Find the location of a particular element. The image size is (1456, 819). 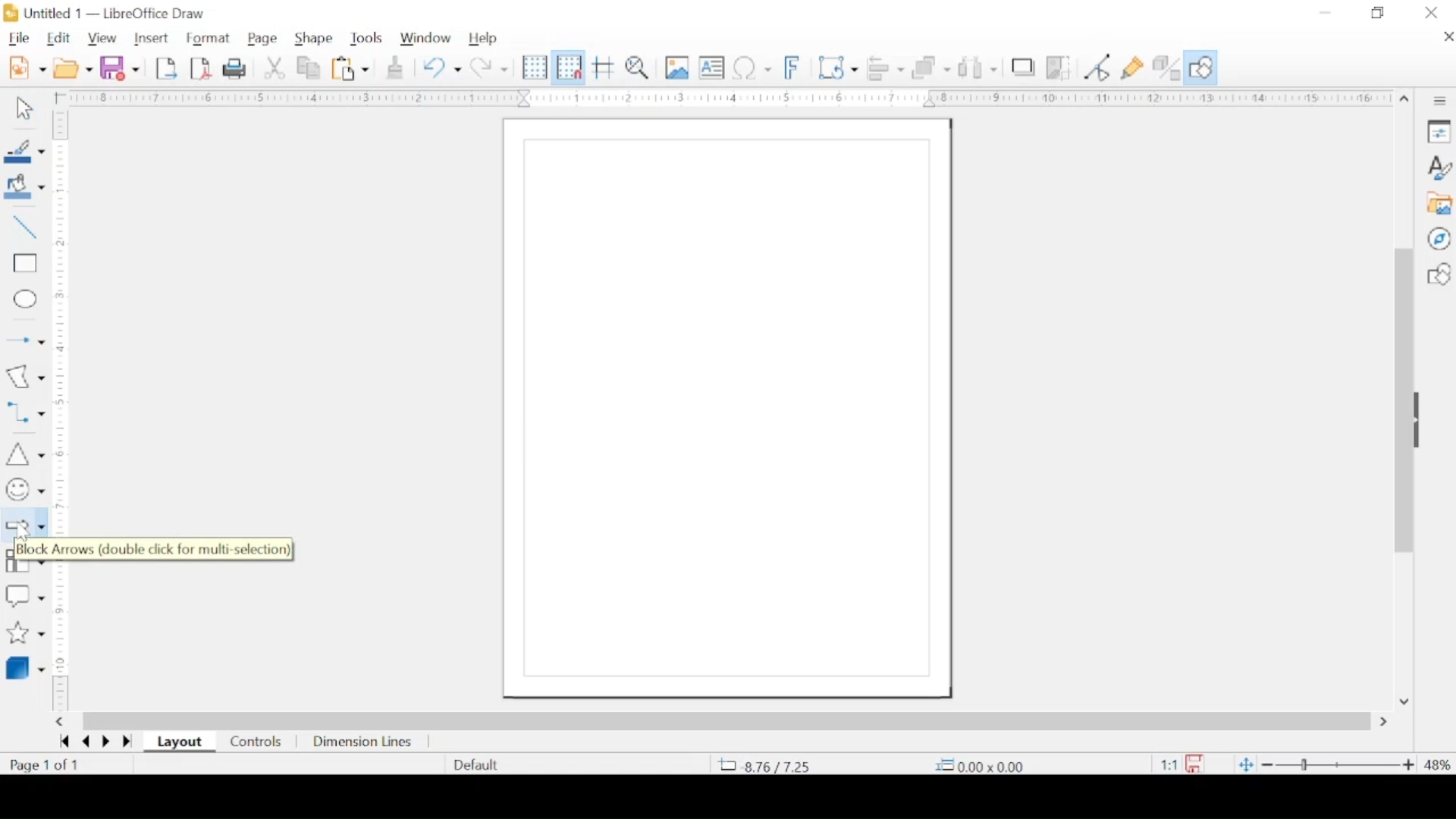

helplines while moving is located at coordinates (604, 67).